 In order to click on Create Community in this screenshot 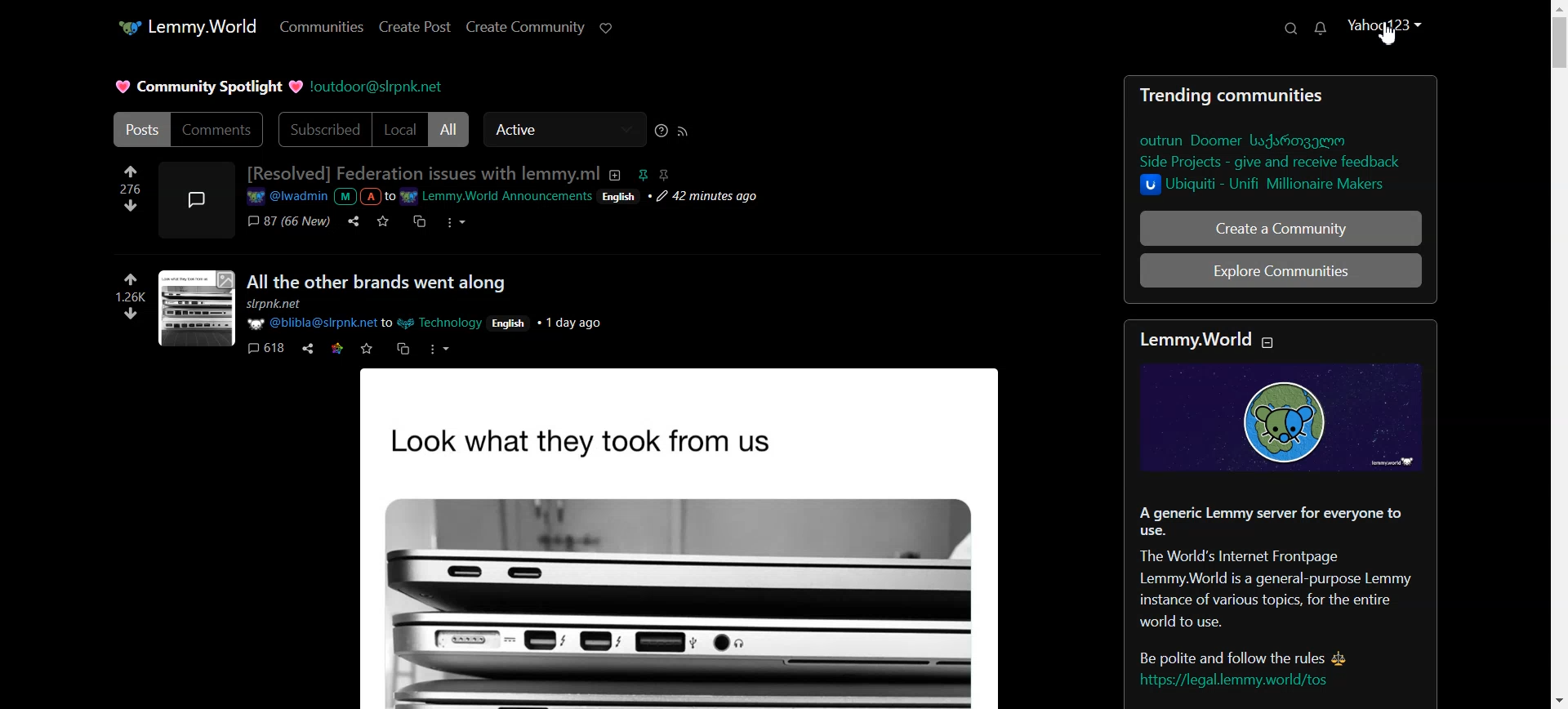, I will do `click(525, 27)`.